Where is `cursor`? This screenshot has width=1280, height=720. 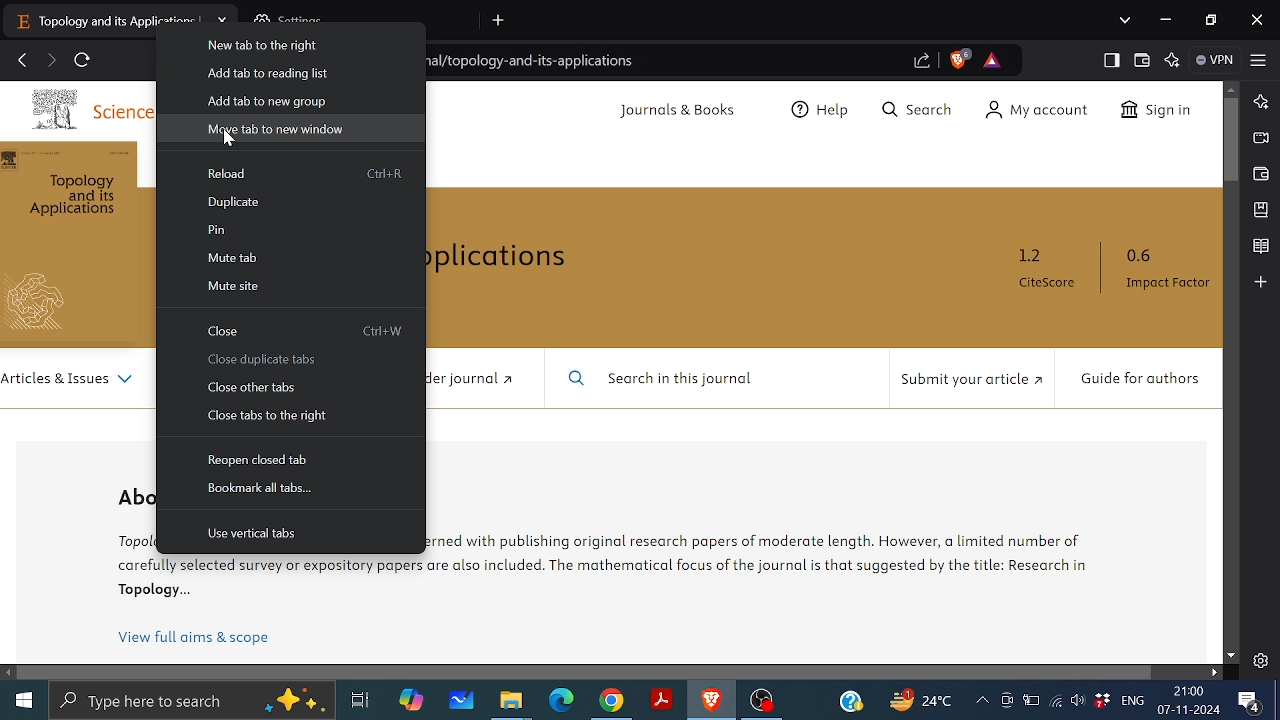
cursor is located at coordinates (228, 145).